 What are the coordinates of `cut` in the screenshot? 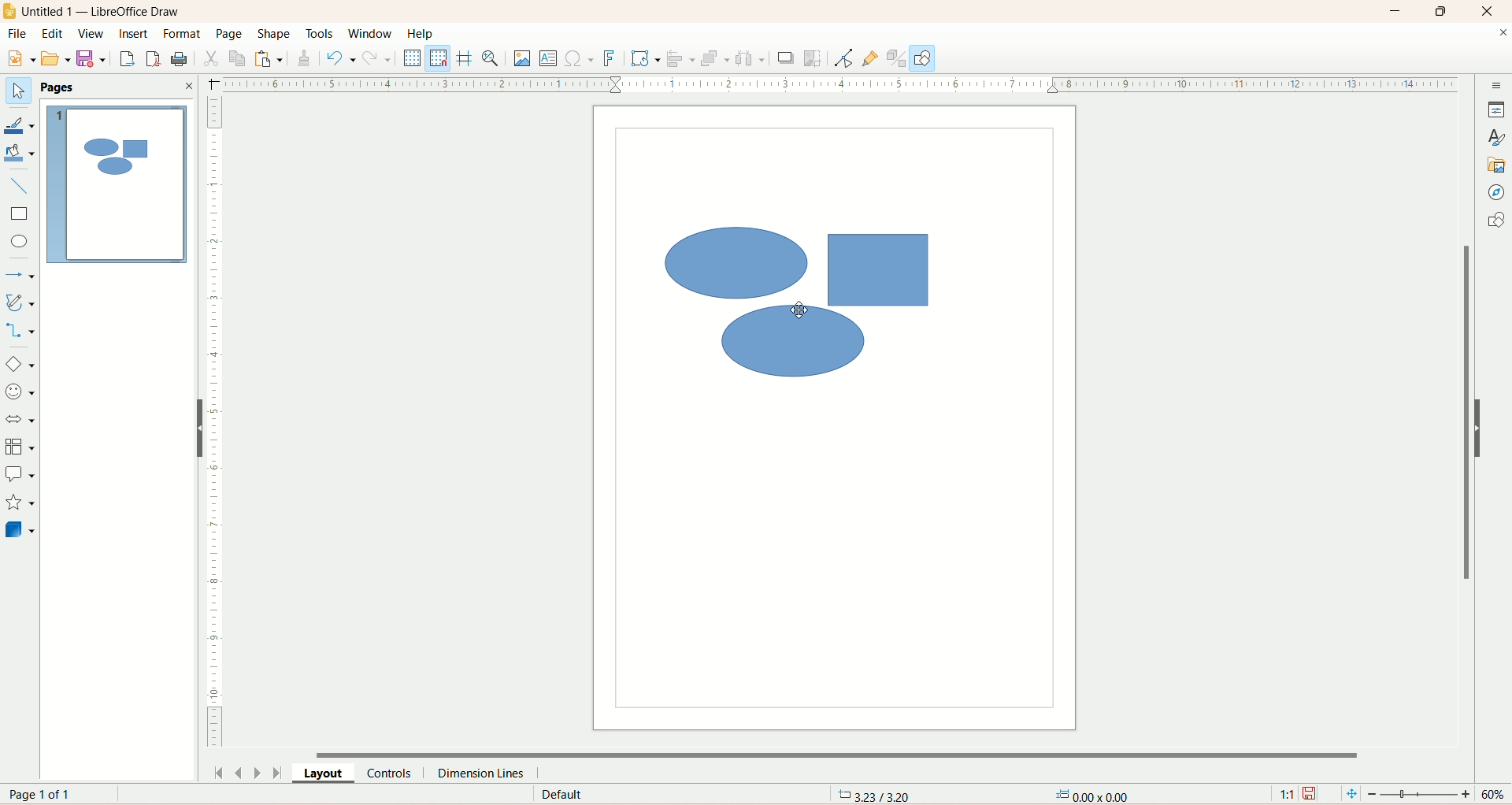 It's located at (212, 61).